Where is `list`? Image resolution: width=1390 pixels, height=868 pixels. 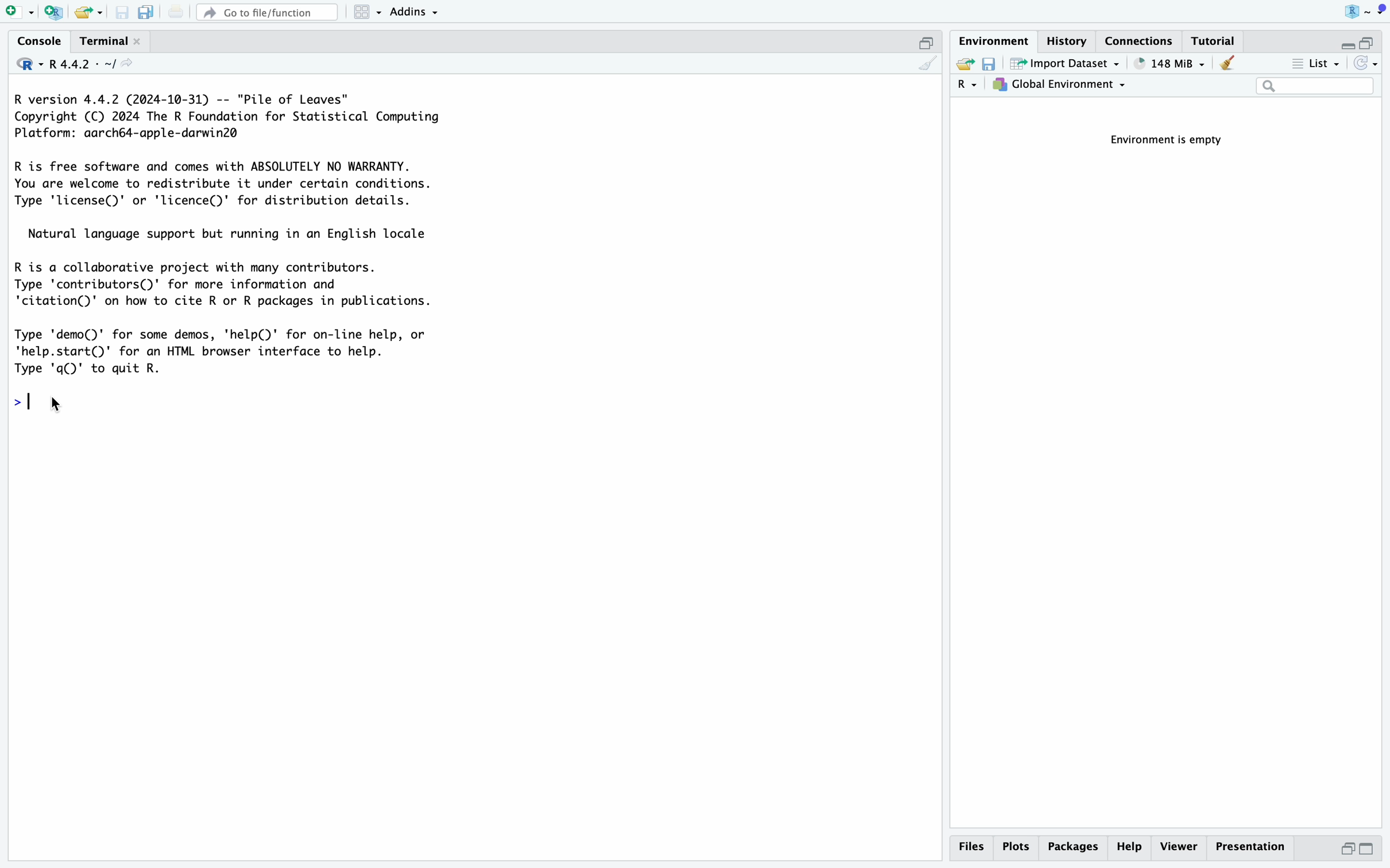
list is located at coordinates (1314, 65).